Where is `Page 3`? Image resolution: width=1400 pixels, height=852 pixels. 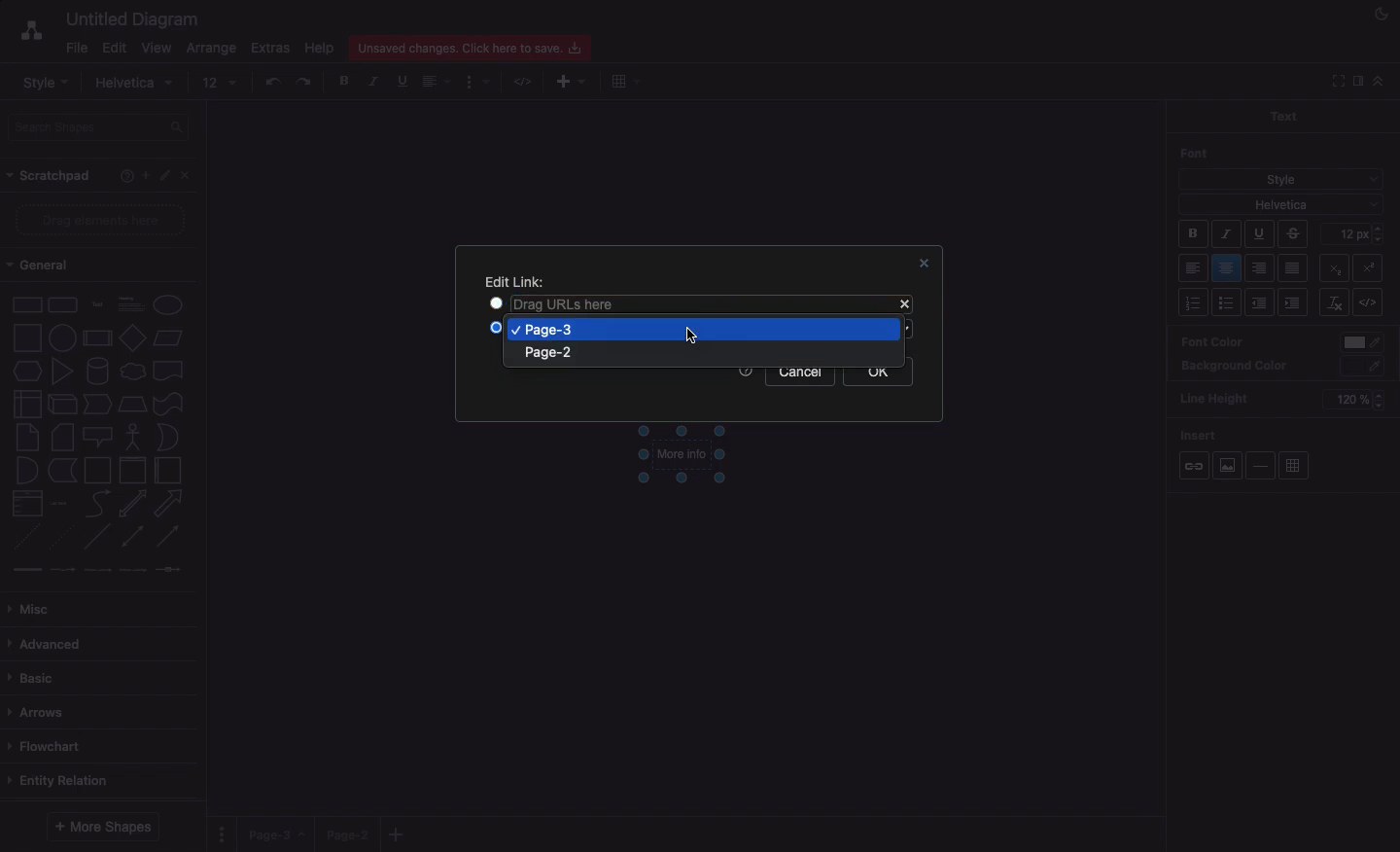 Page 3 is located at coordinates (274, 834).